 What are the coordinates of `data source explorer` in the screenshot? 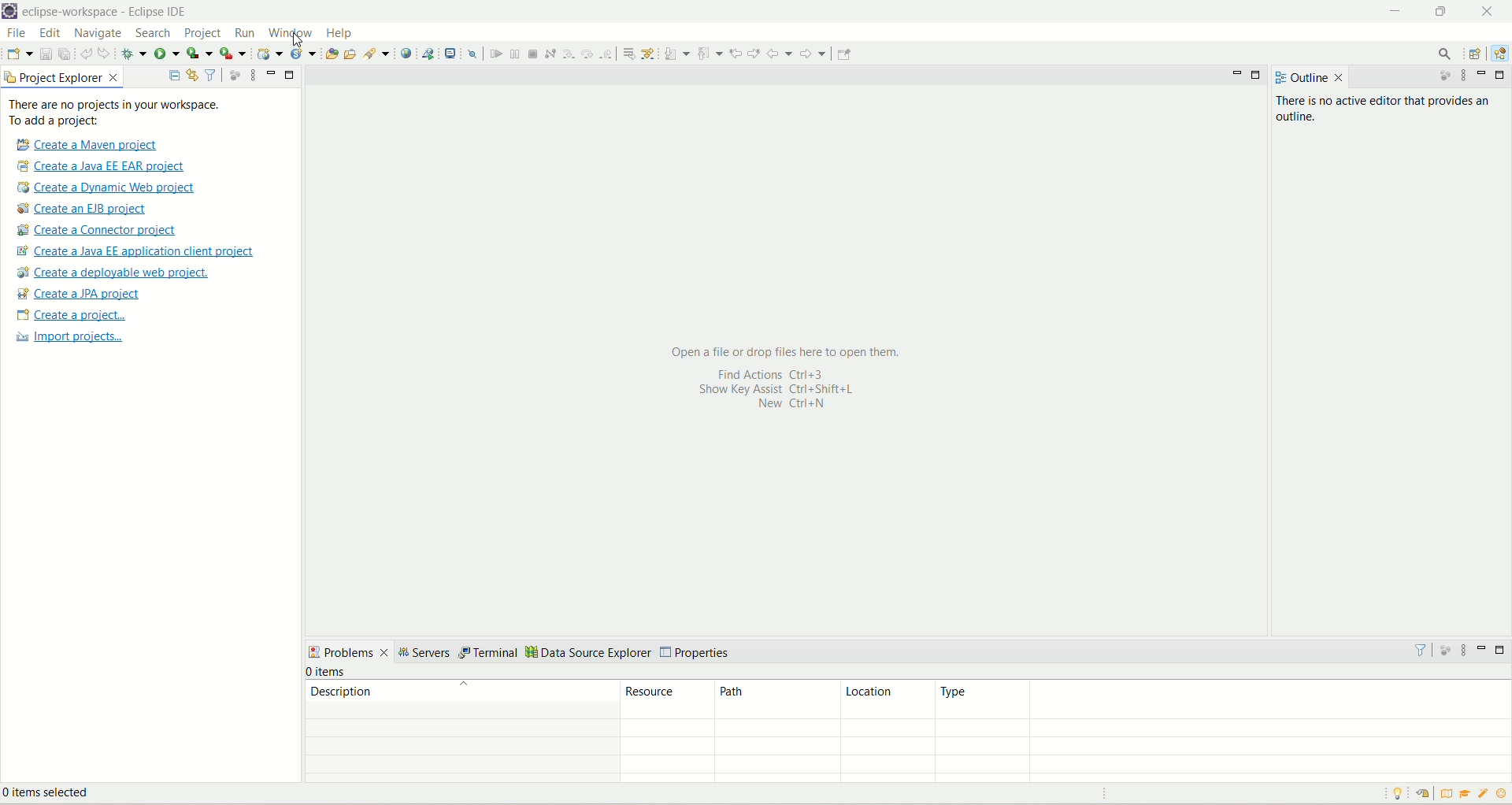 It's located at (589, 654).